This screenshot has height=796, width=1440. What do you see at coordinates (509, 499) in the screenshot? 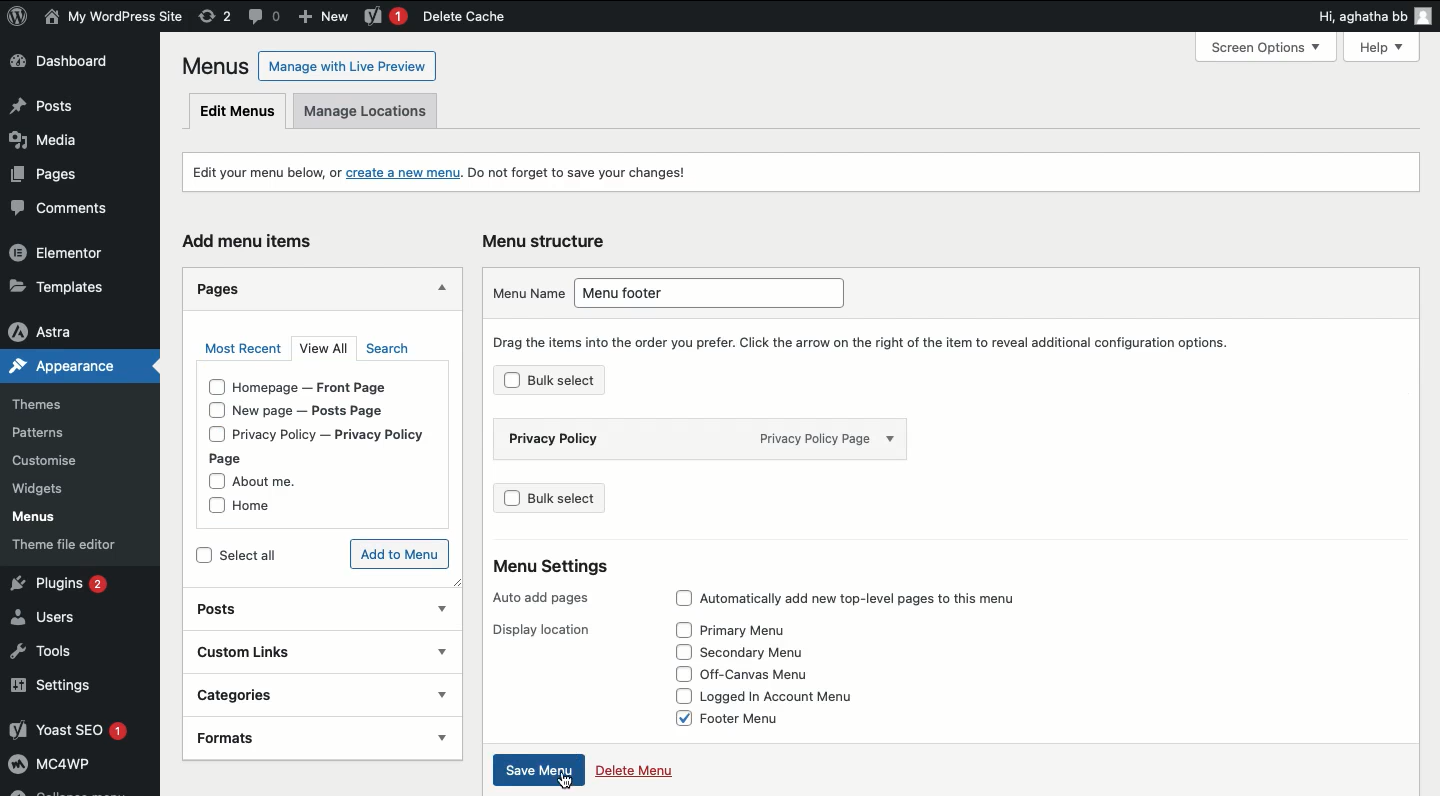
I see `checkbox` at bounding box center [509, 499].